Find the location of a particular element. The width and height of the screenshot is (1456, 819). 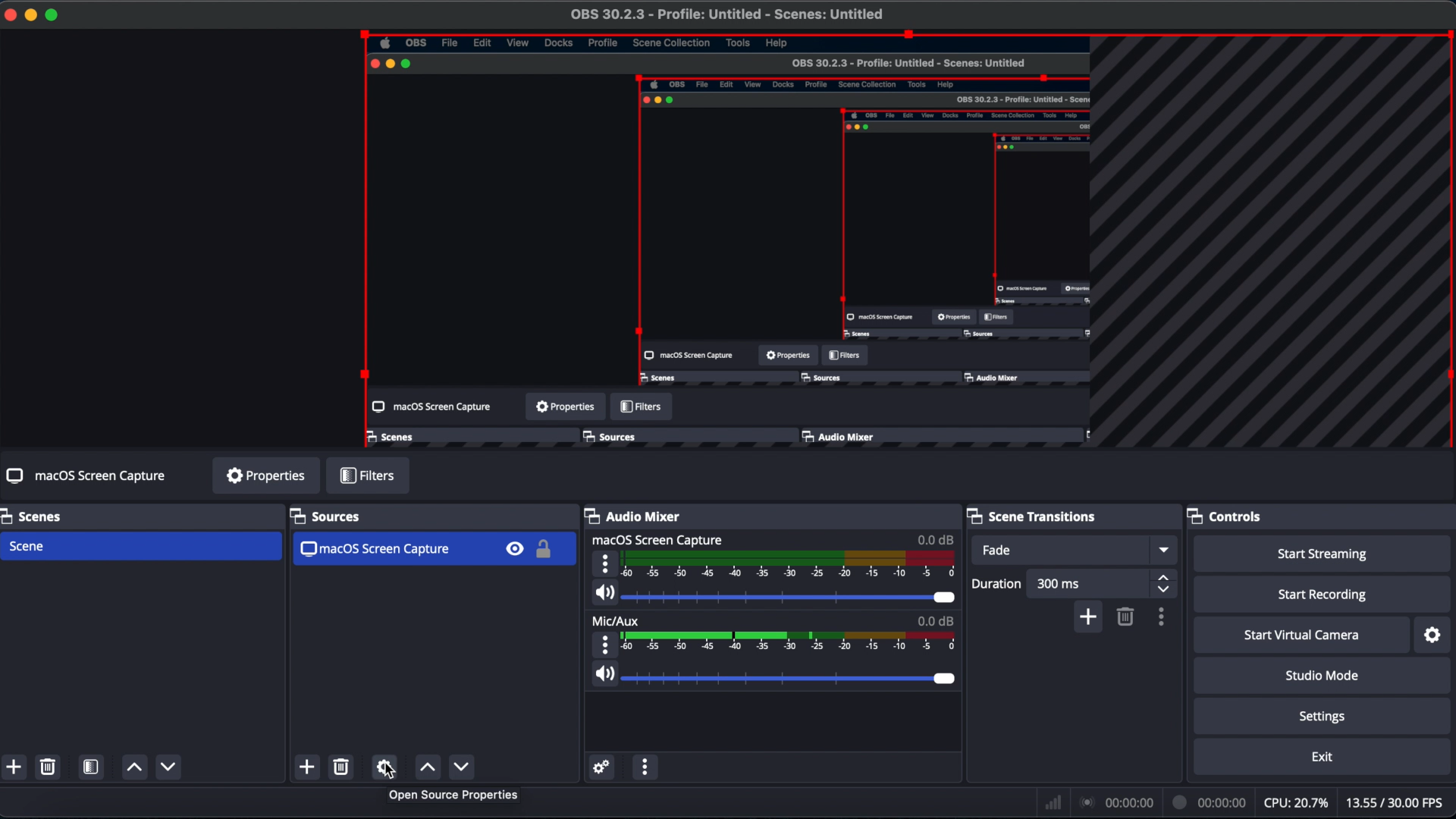

mic volume slider is located at coordinates (776, 677).